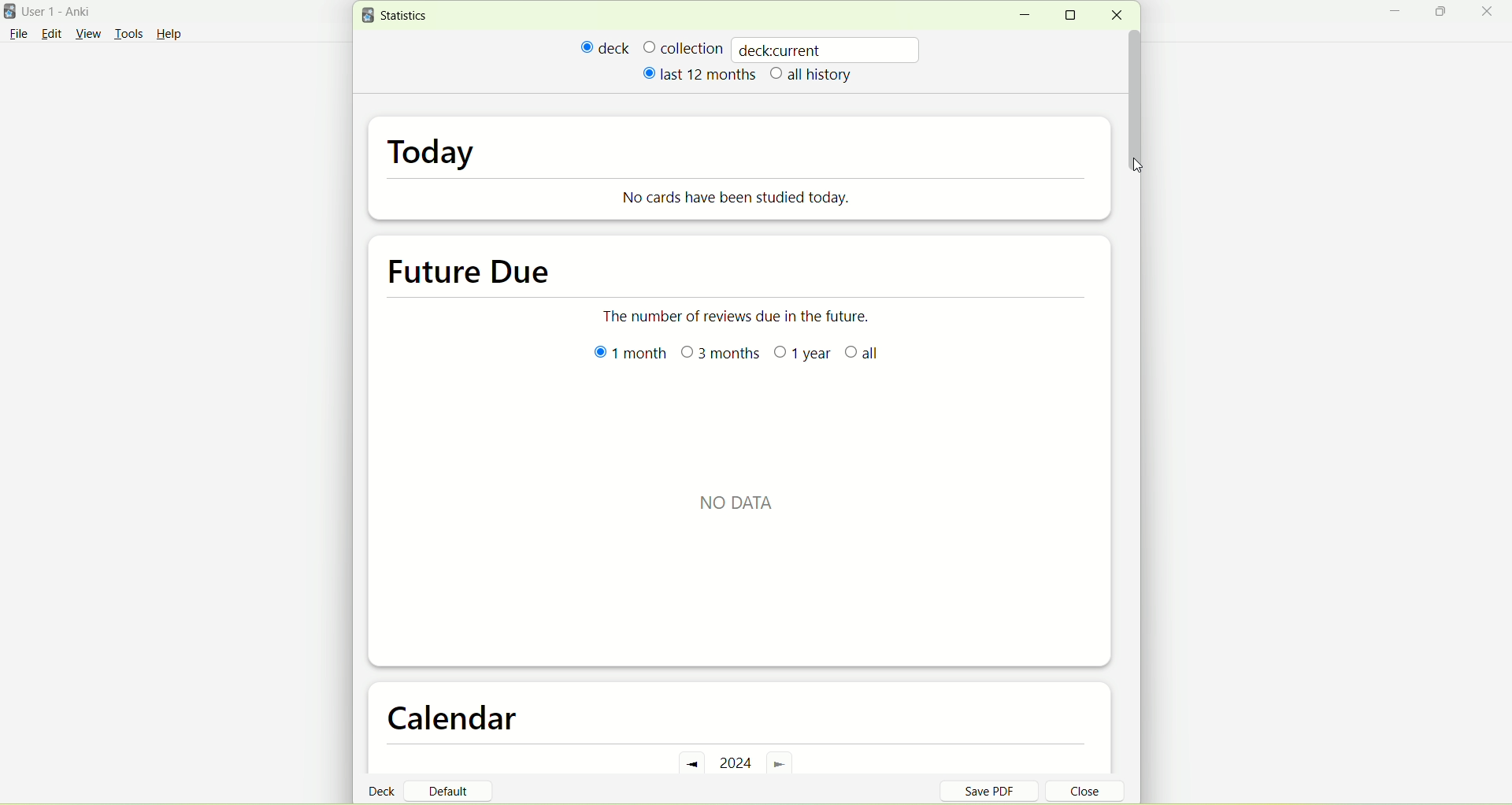 The image size is (1512, 805). I want to click on No cards have been studied today., so click(745, 197).